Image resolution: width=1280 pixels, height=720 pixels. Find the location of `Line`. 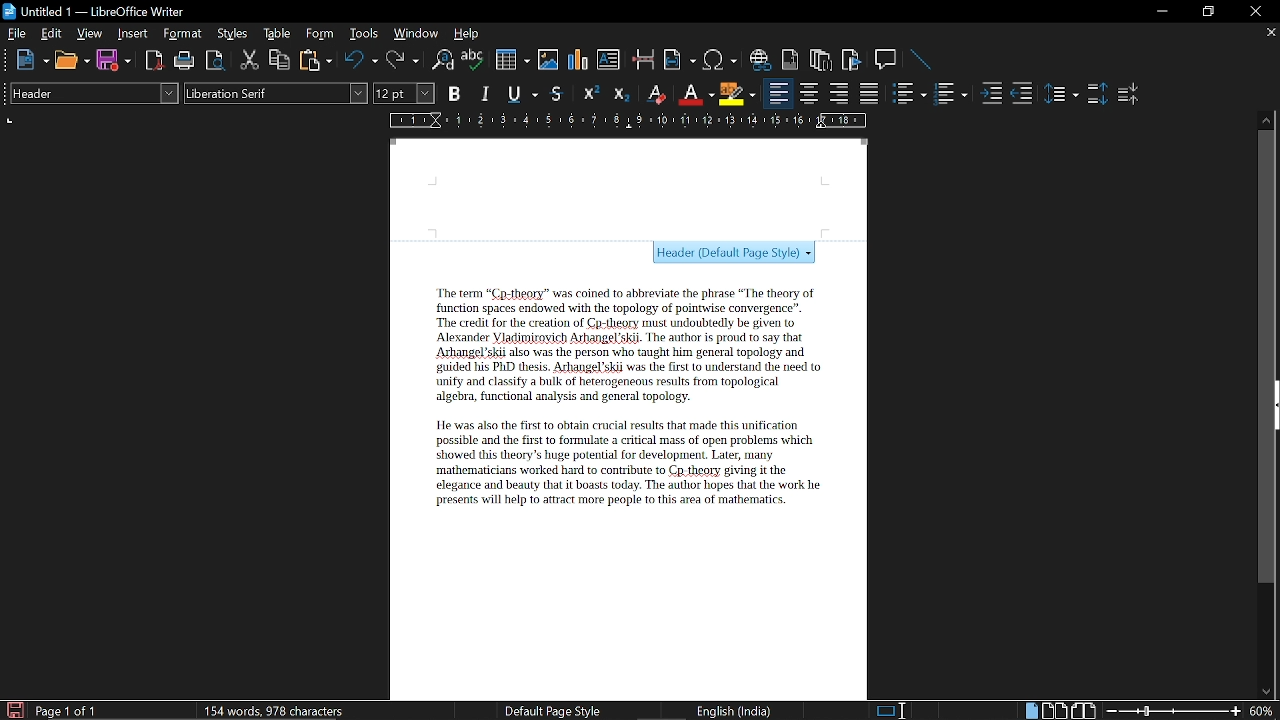

Line is located at coordinates (922, 61).